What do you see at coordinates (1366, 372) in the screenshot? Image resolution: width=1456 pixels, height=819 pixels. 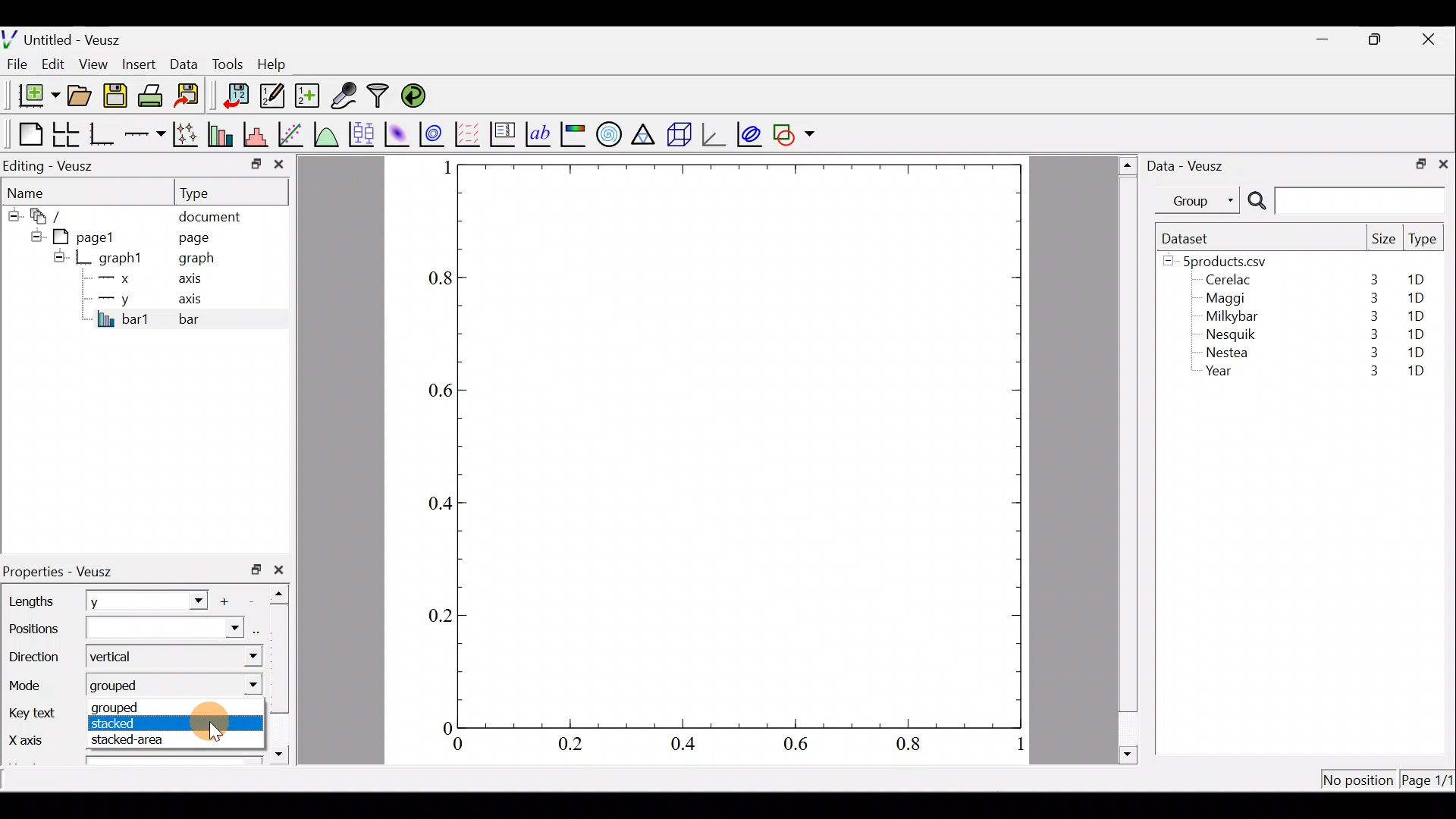 I see `3` at bounding box center [1366, 372].